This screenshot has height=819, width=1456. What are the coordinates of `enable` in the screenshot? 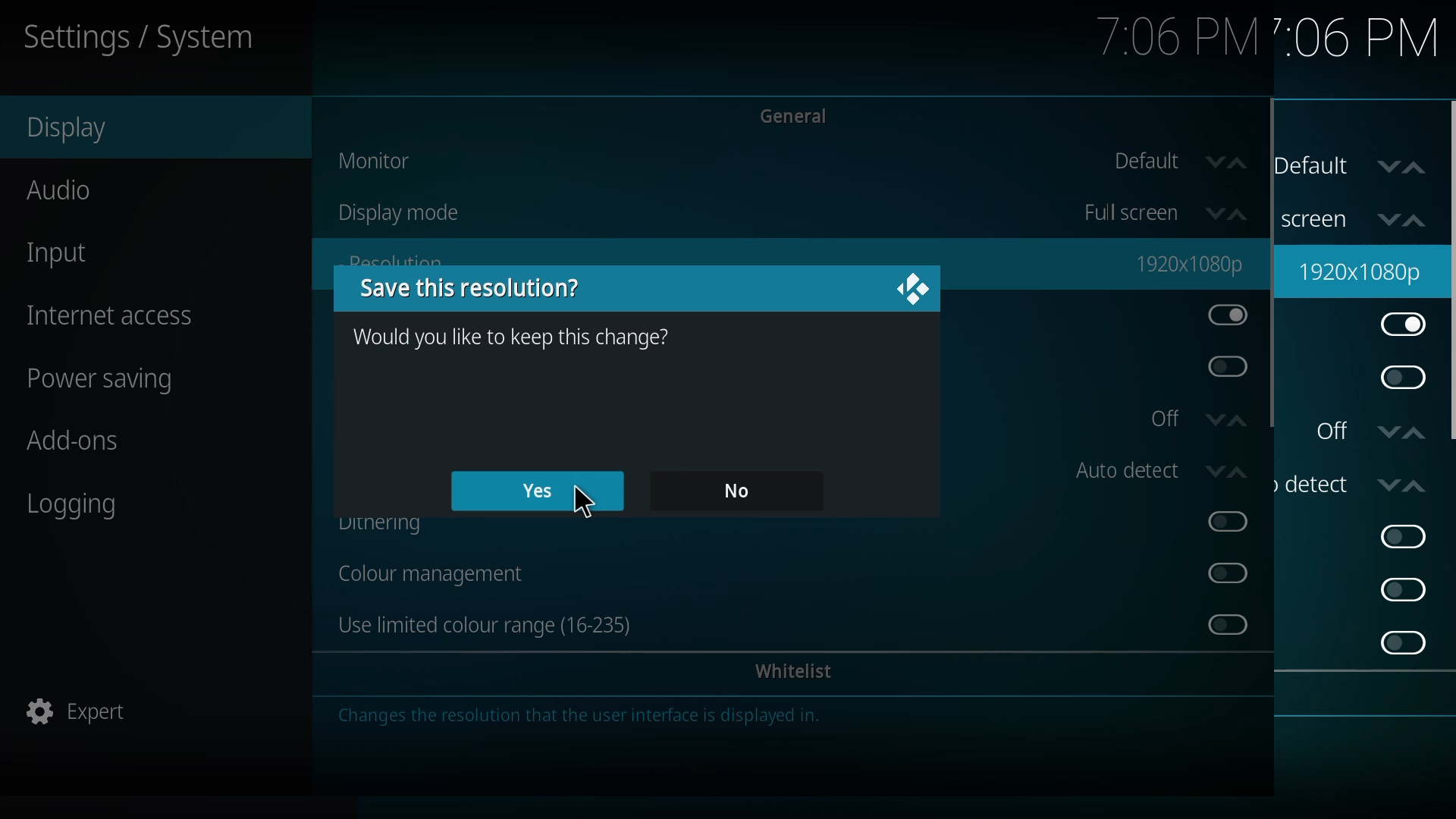 It's located at (1403, 588).